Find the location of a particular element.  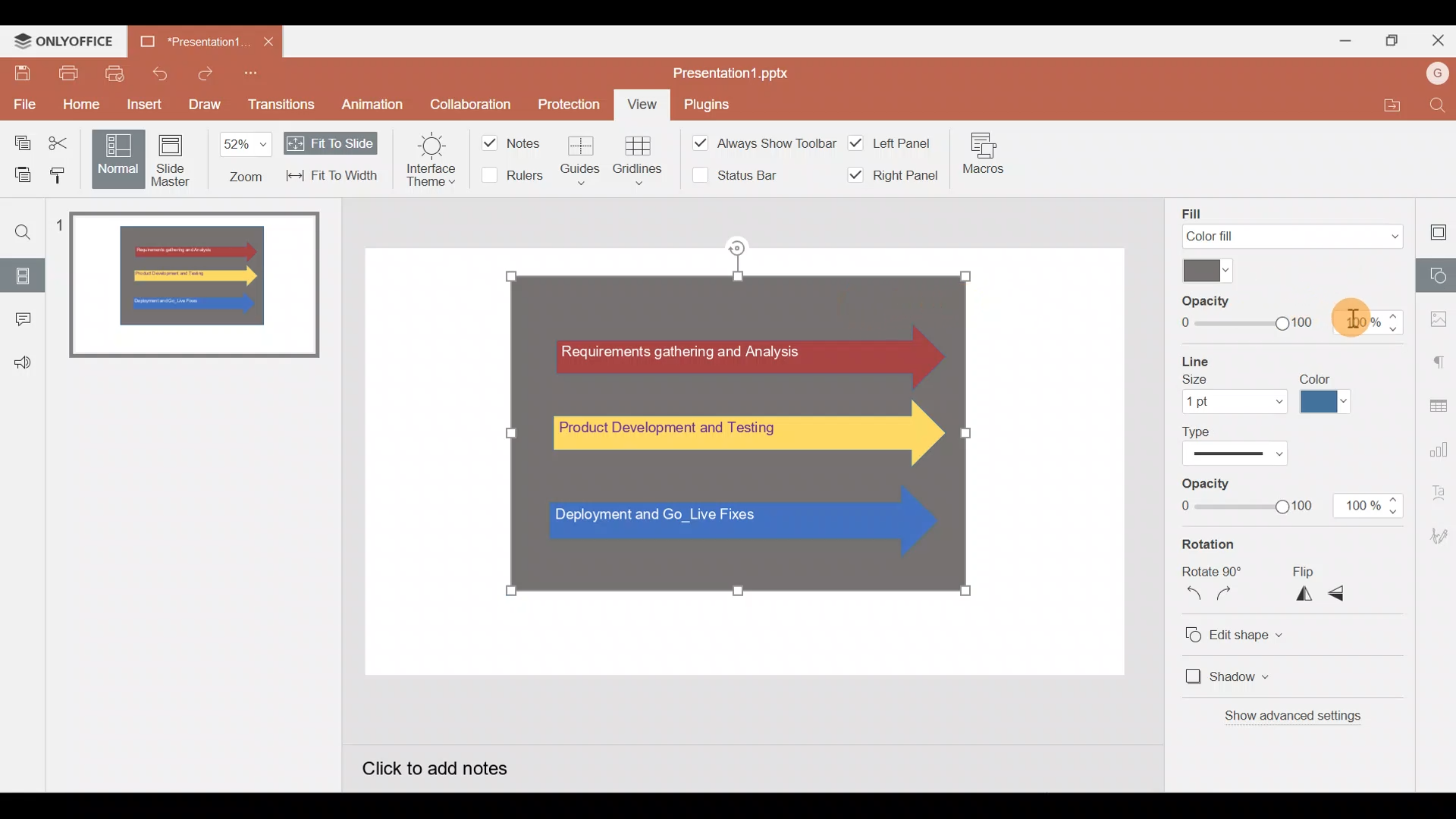

Status bar is located at coordinates (729, 177).